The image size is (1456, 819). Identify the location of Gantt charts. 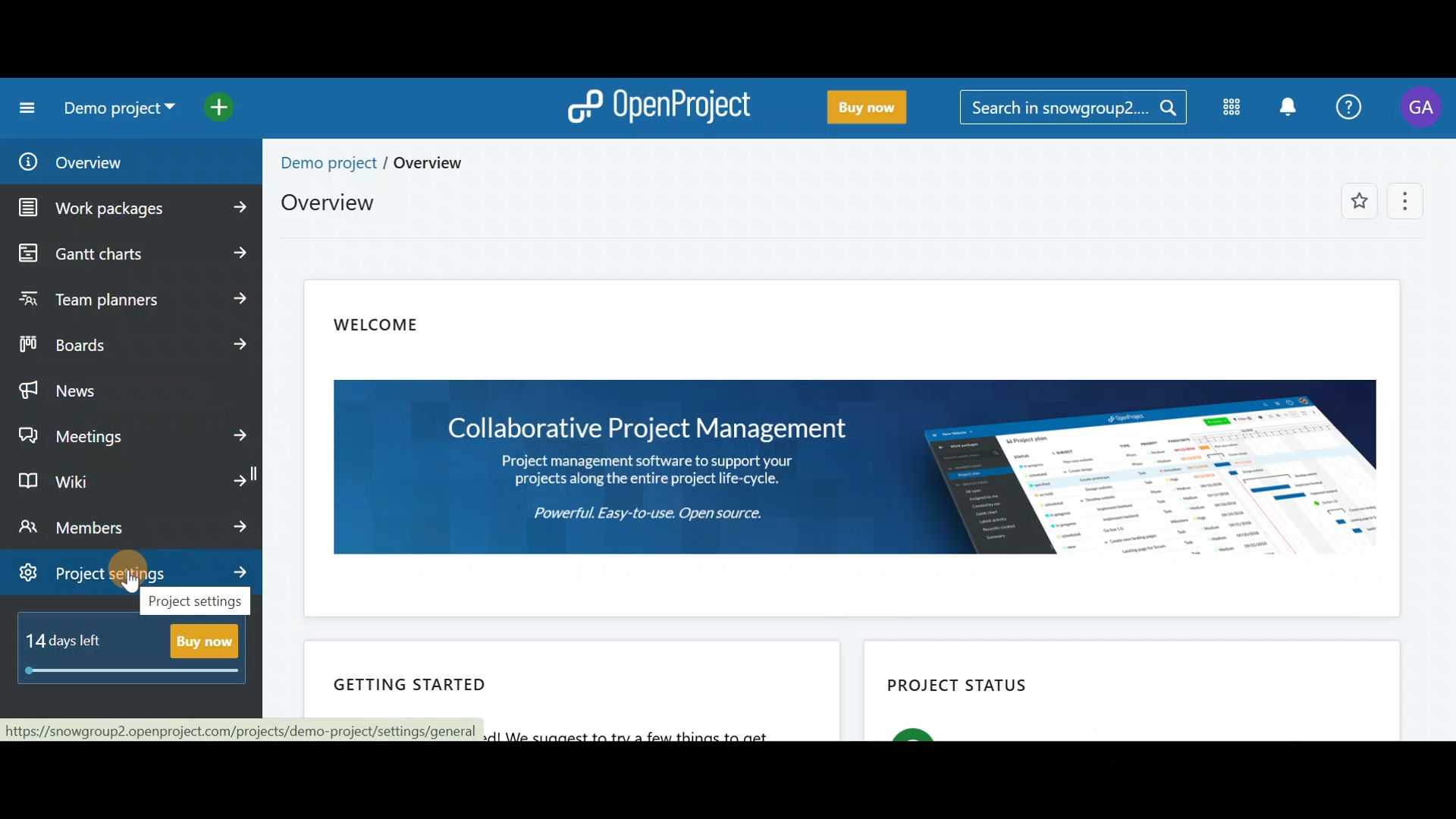
(132, 251).